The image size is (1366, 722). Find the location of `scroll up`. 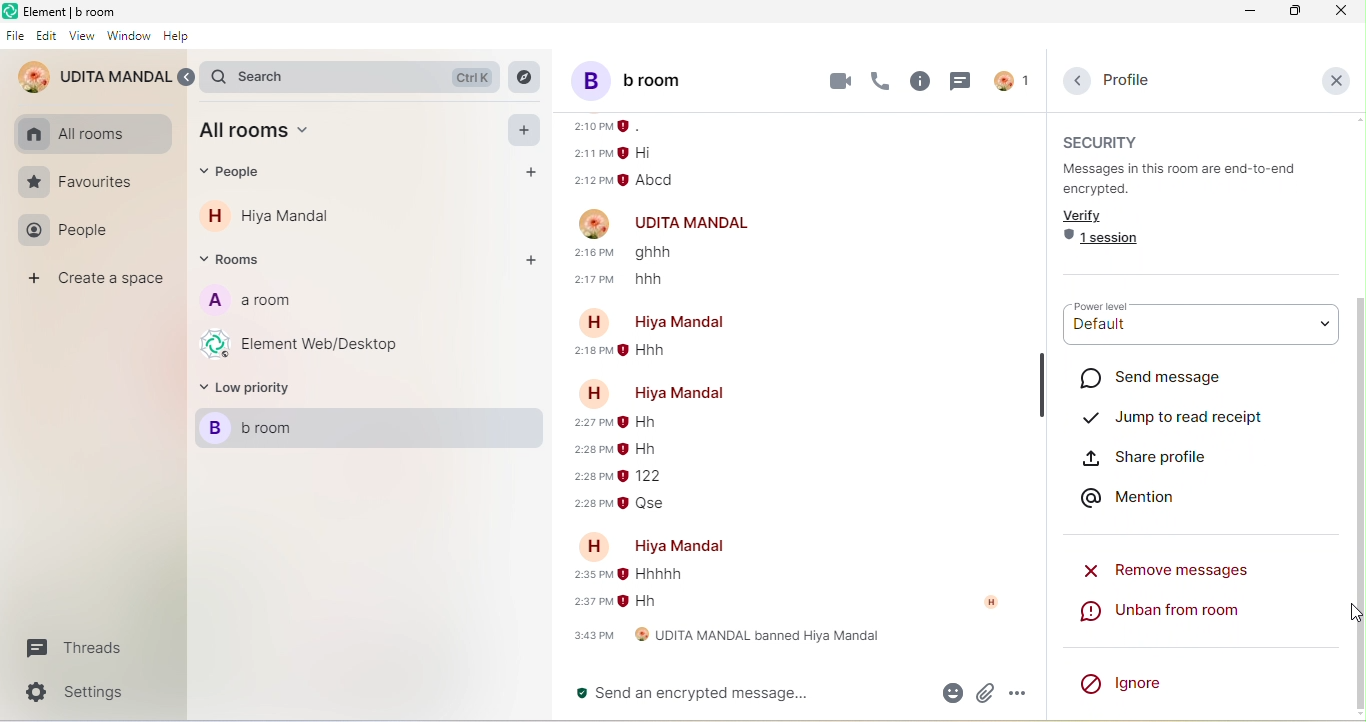

scroll up is located at coordinates (1357, 119).